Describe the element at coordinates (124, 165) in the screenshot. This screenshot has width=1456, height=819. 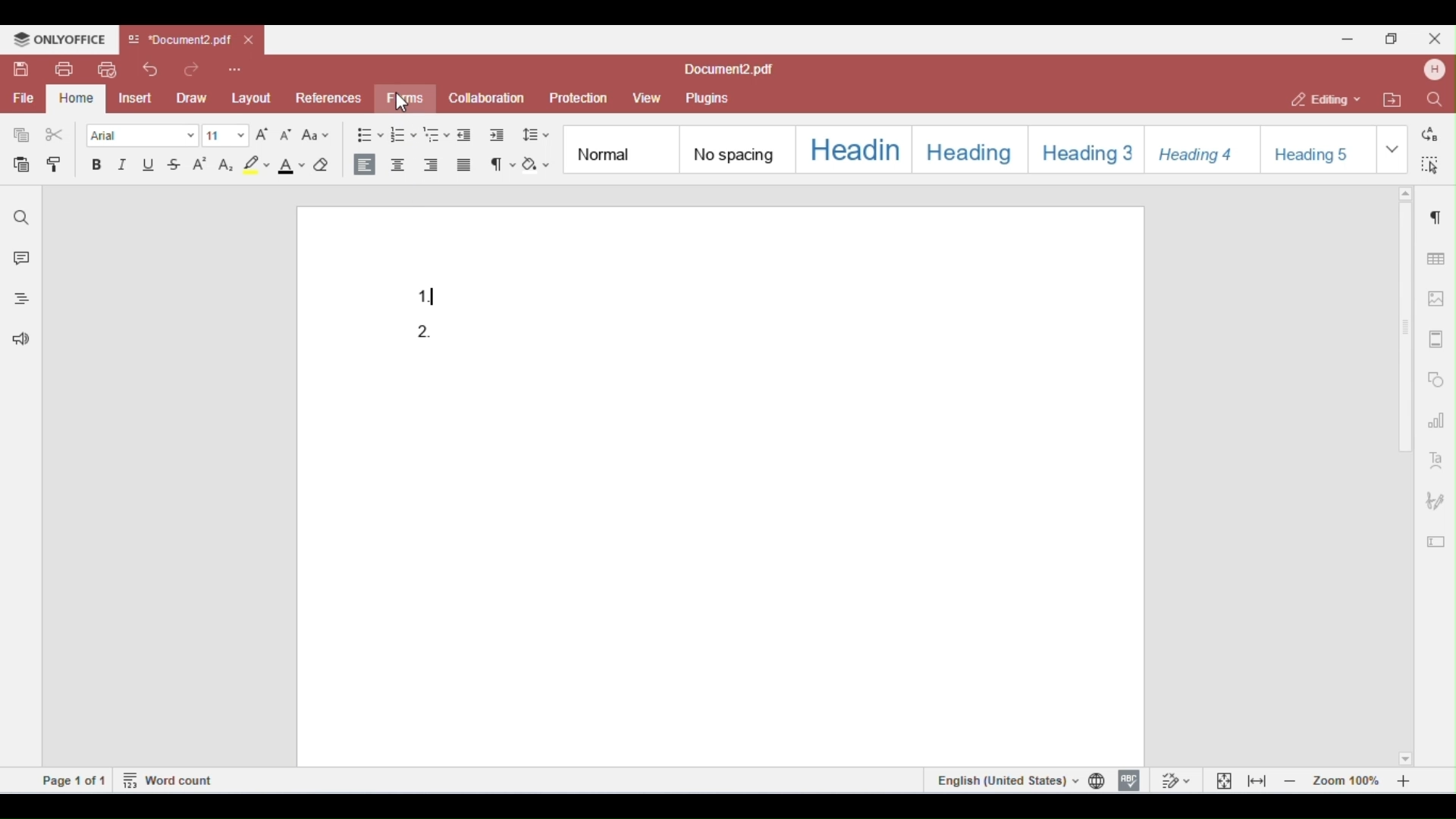
I see `italics` at that location.